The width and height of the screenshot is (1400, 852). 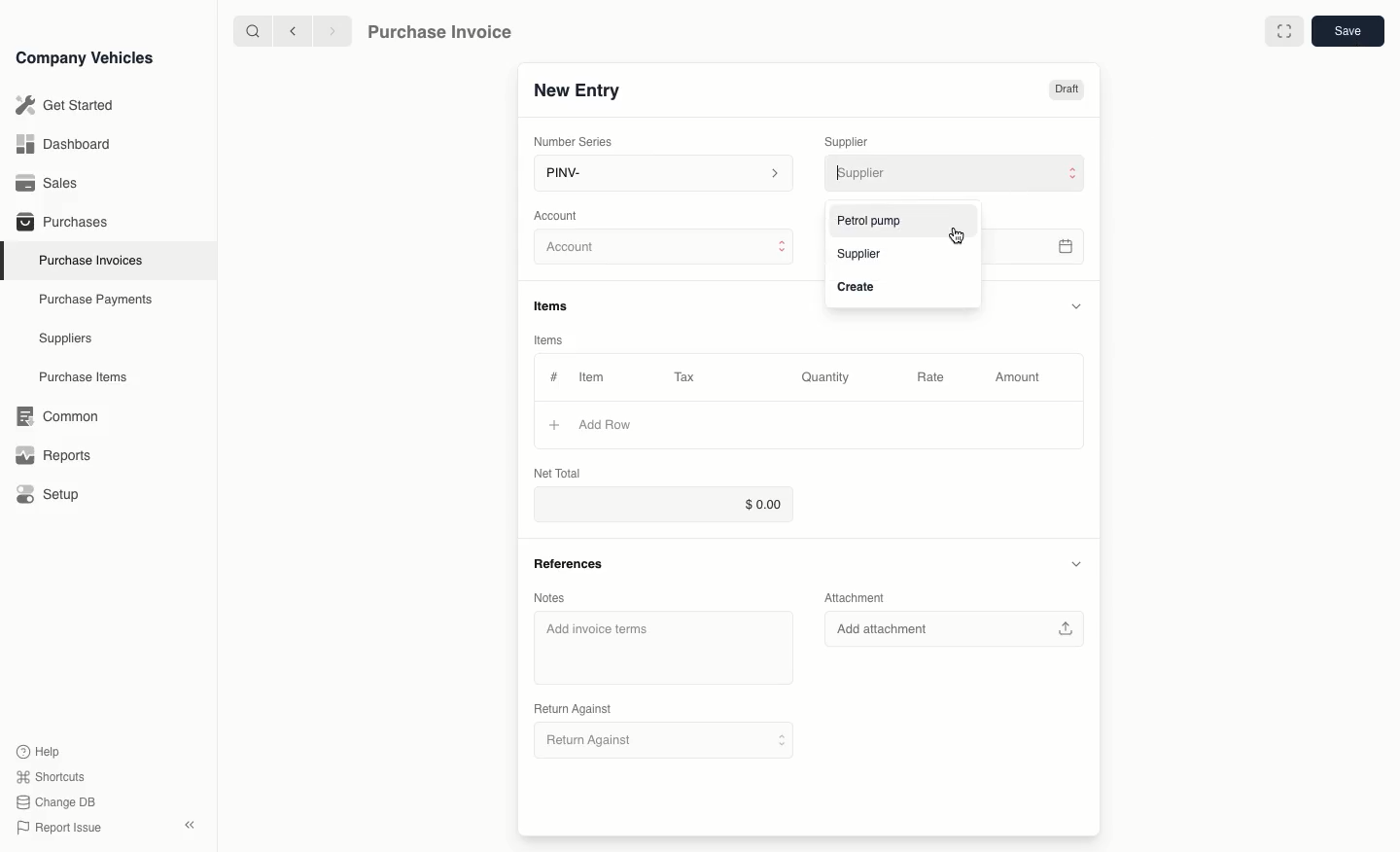 I want to click on Net Total, so click(x=557, y=475).